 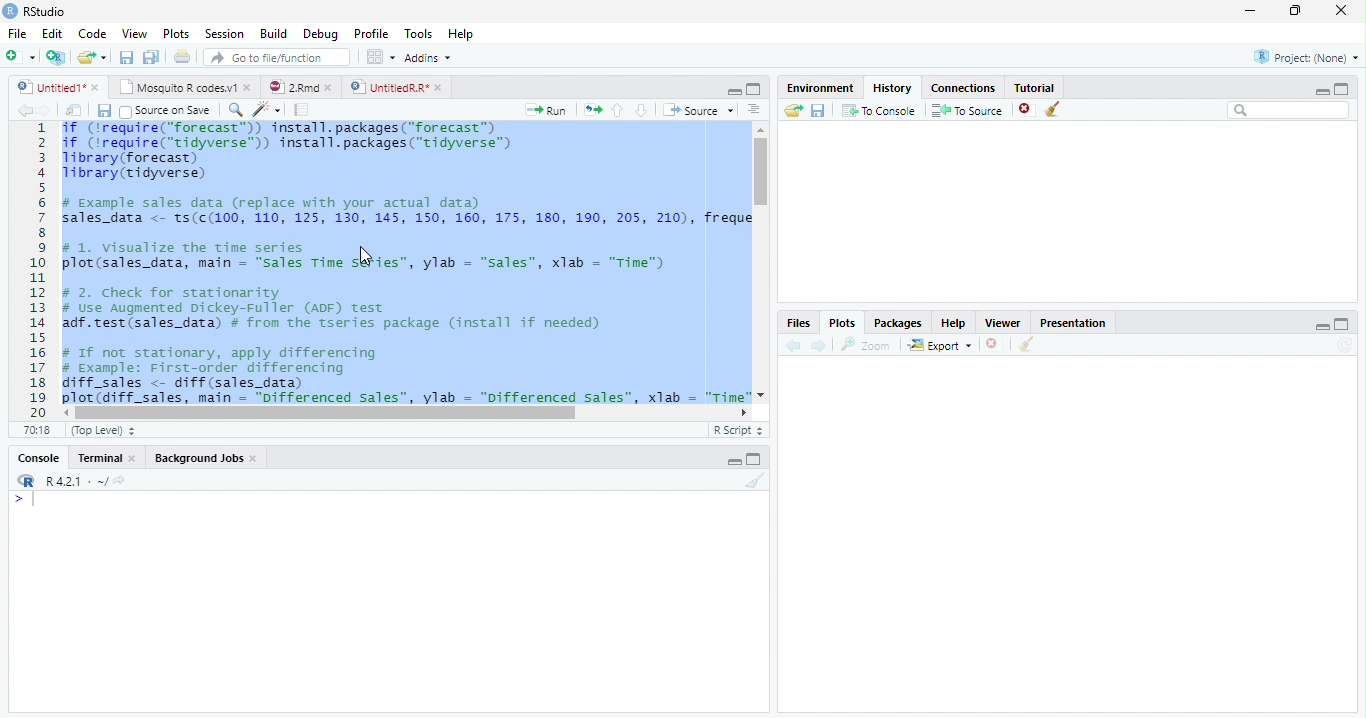 What do you see at coordinates (263, 109) in the screenshot?
I see `Code Tools` at bounding box center [263, 109].